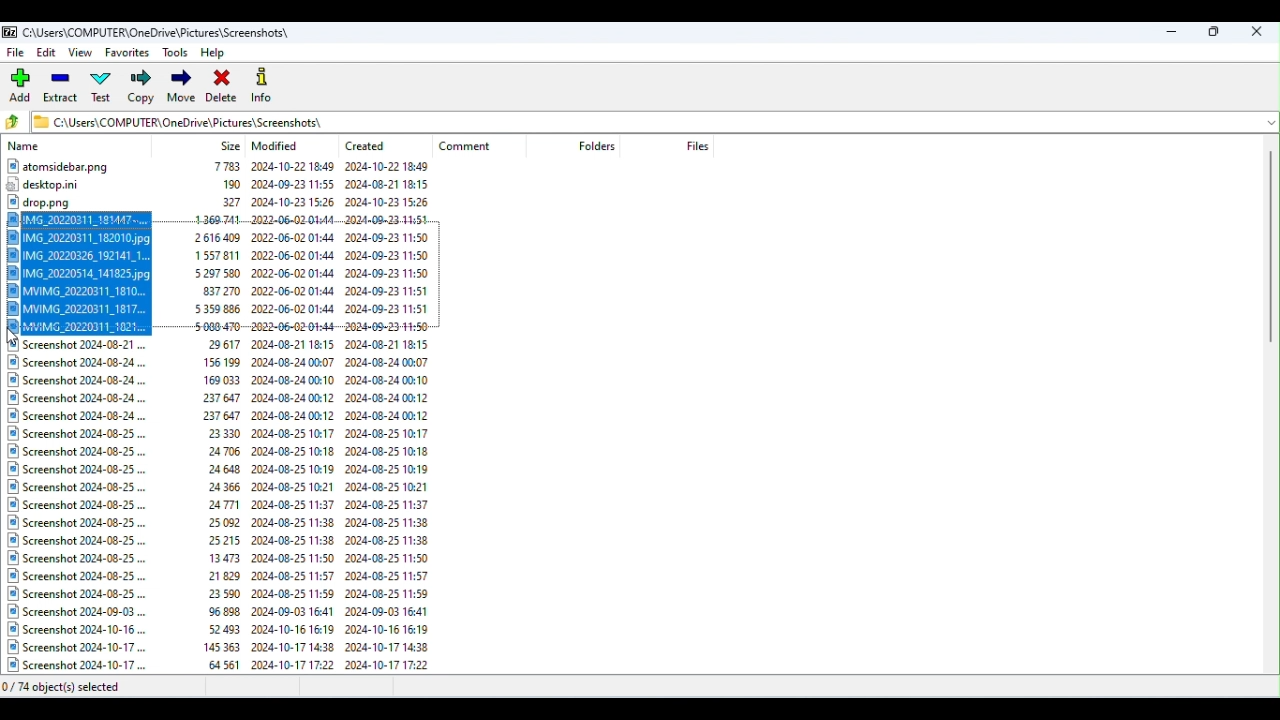  I want to click on Scroll bar, so click(1272, 407).